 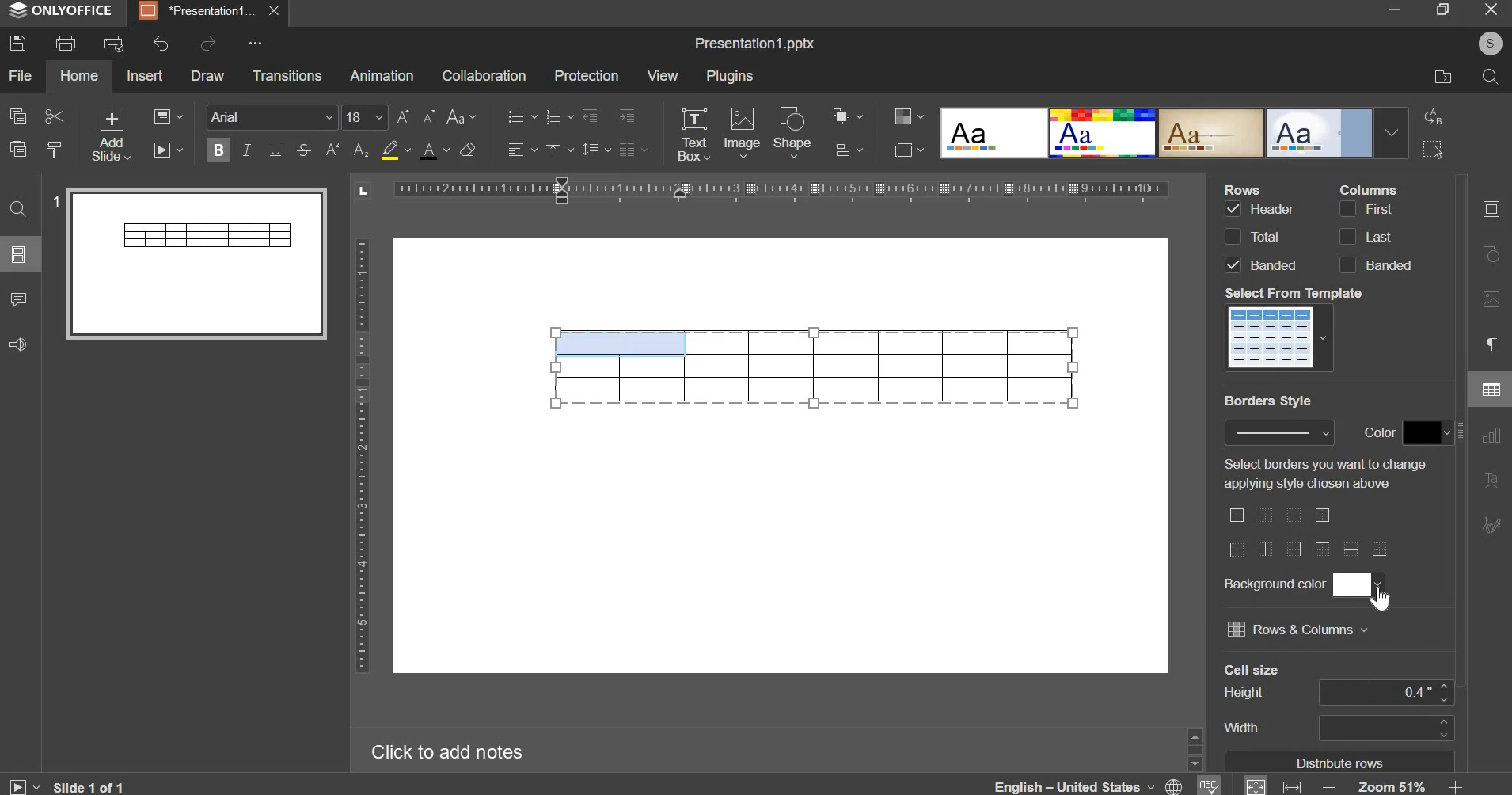 What do you see at coordinates (53, 117) in the screenshot?
I see `cut` at bounding box center [53, 117].